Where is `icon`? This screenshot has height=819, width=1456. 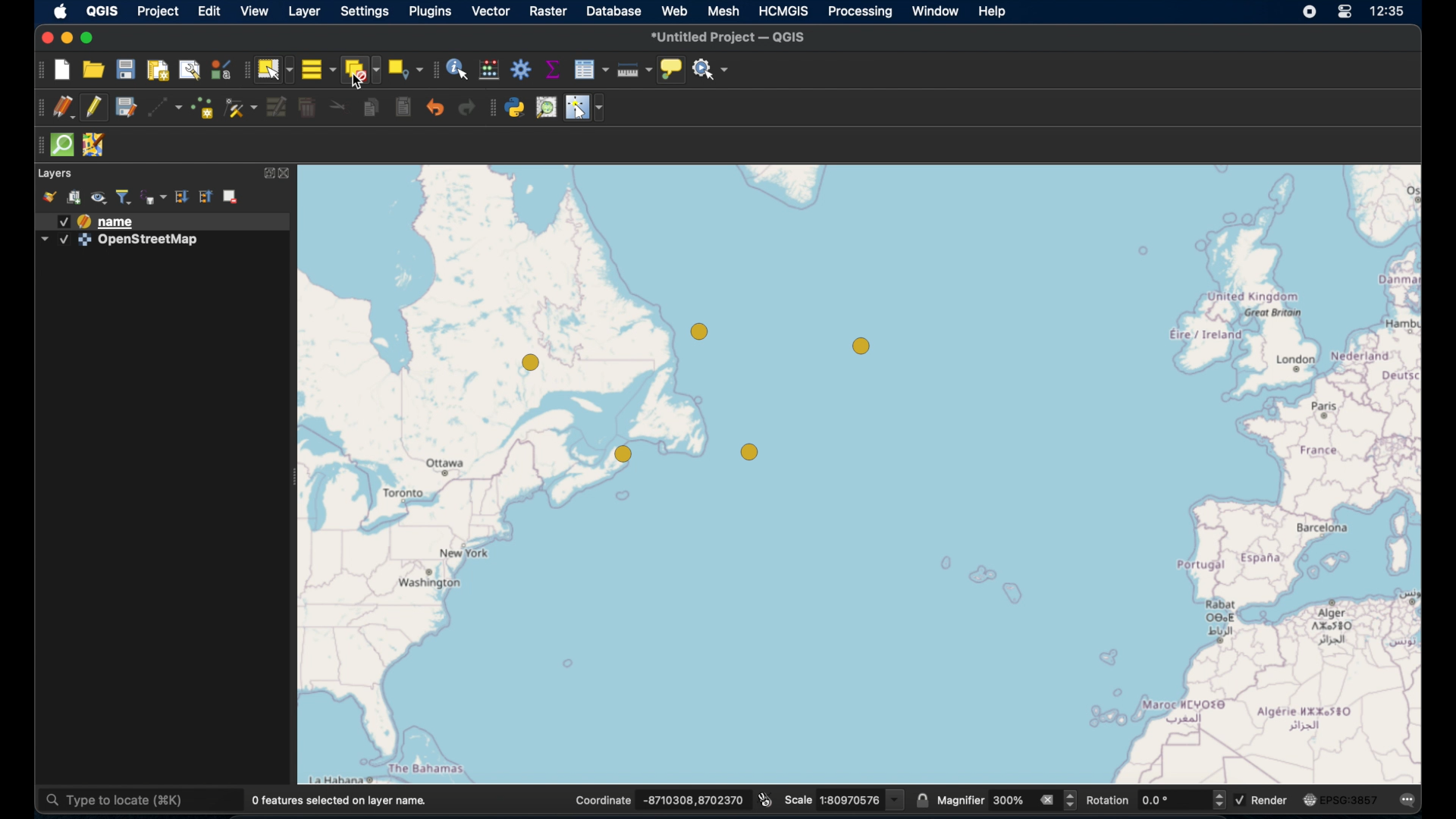
icon is located at coordinates (1310, 798).